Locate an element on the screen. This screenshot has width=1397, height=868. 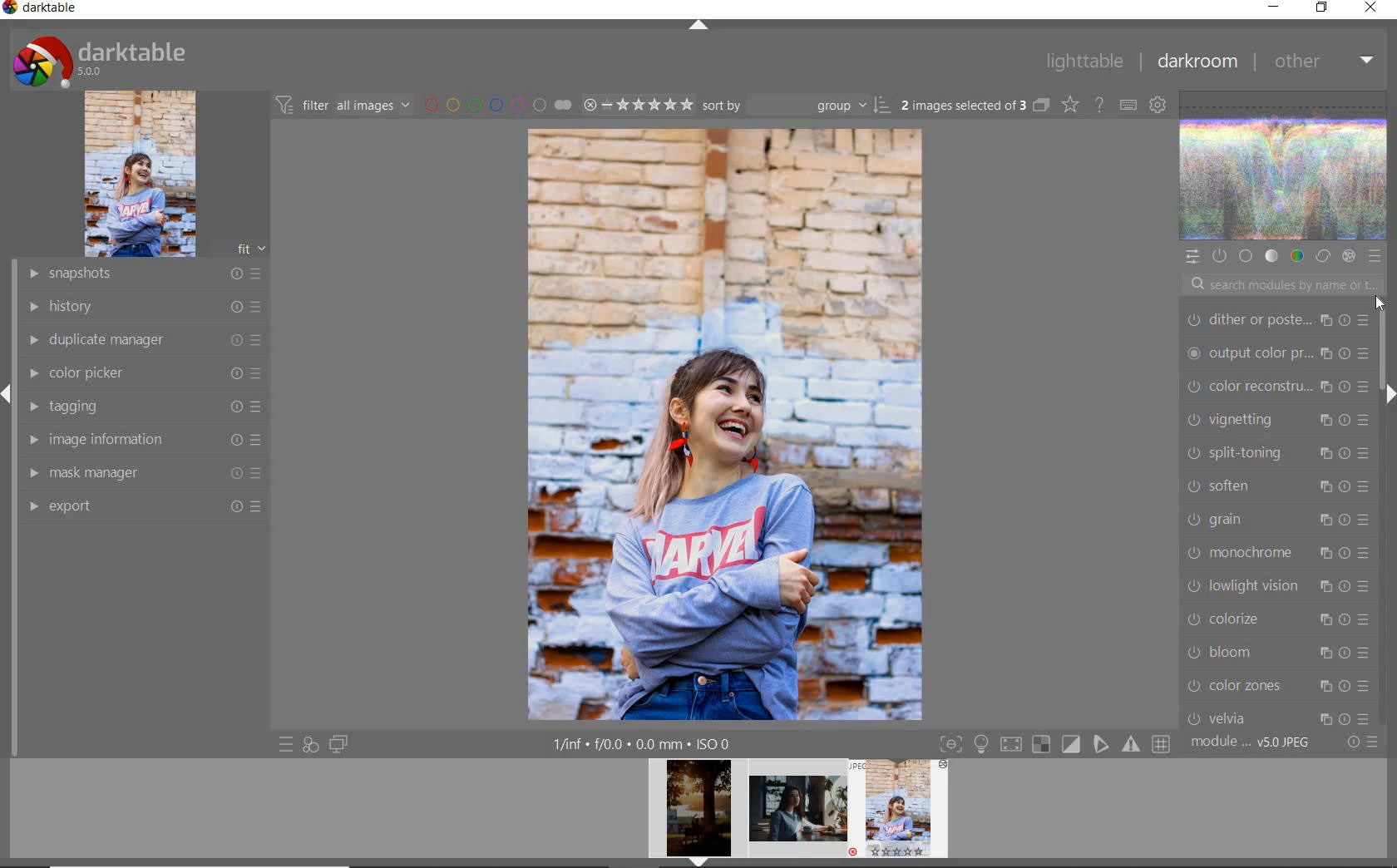
system name is located at coordinates (41, 10).